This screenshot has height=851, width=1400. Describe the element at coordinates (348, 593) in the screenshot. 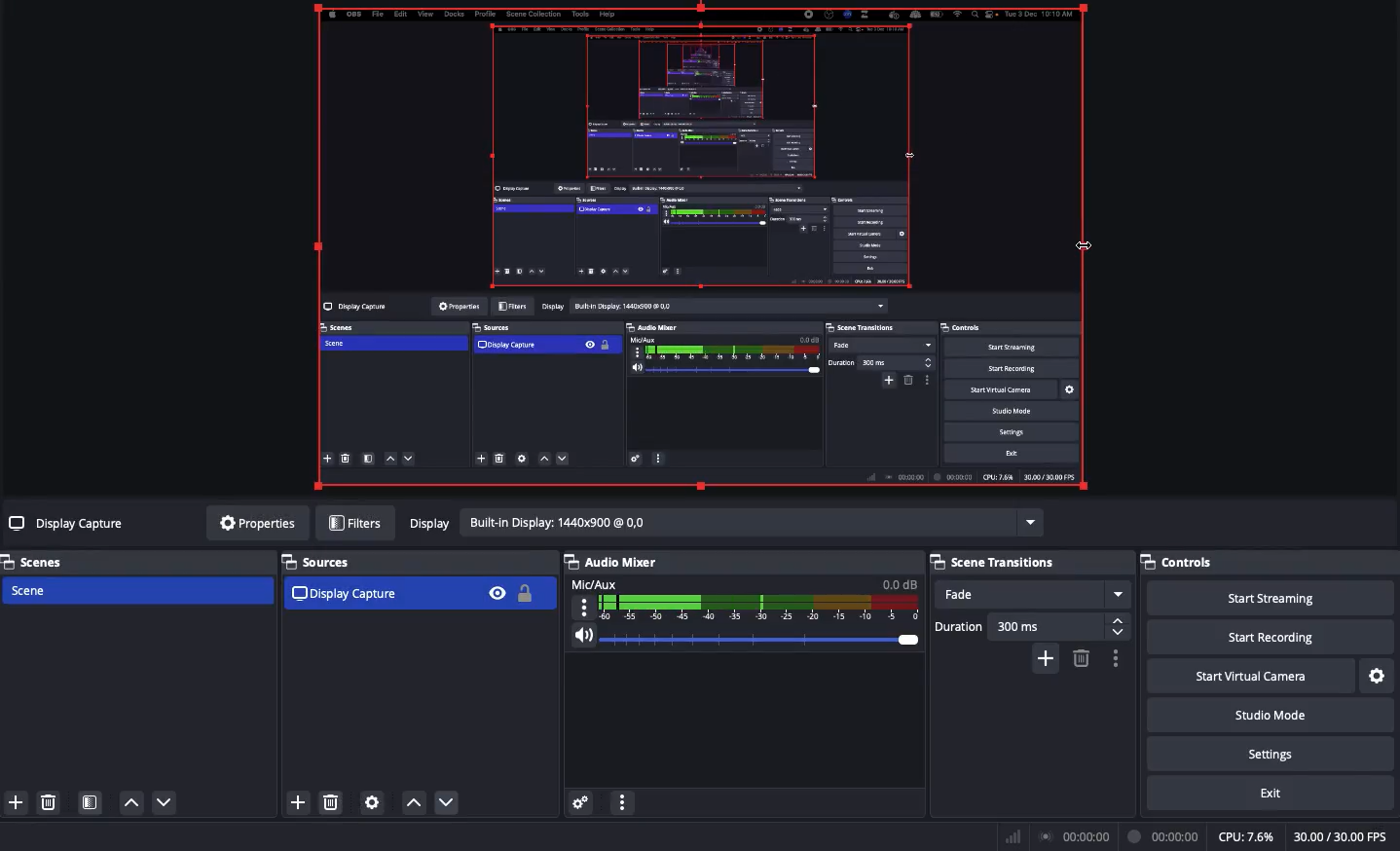

I see `Display capture` at that location.